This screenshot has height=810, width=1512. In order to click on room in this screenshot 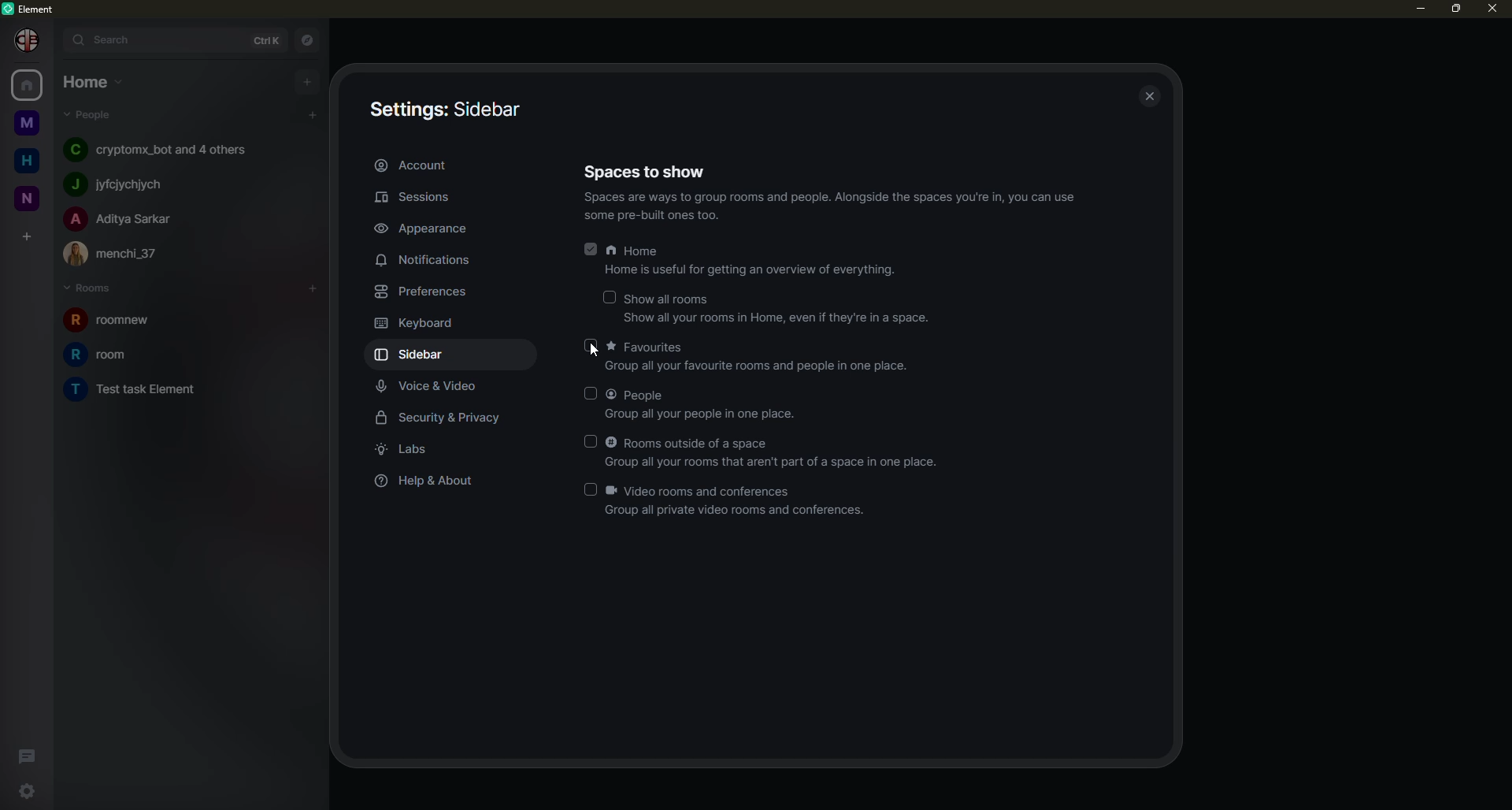, I will do `click(113, 355)`.